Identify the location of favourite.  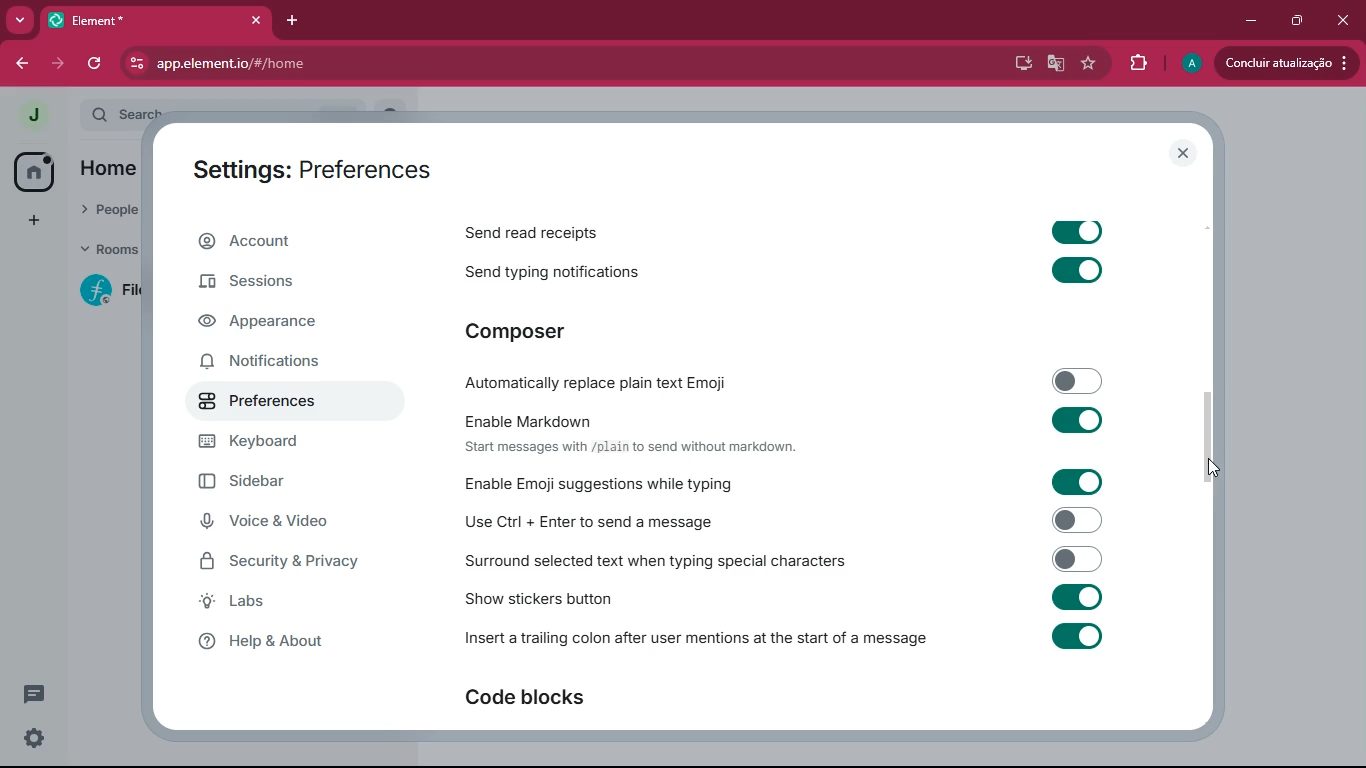
(1086, 64).